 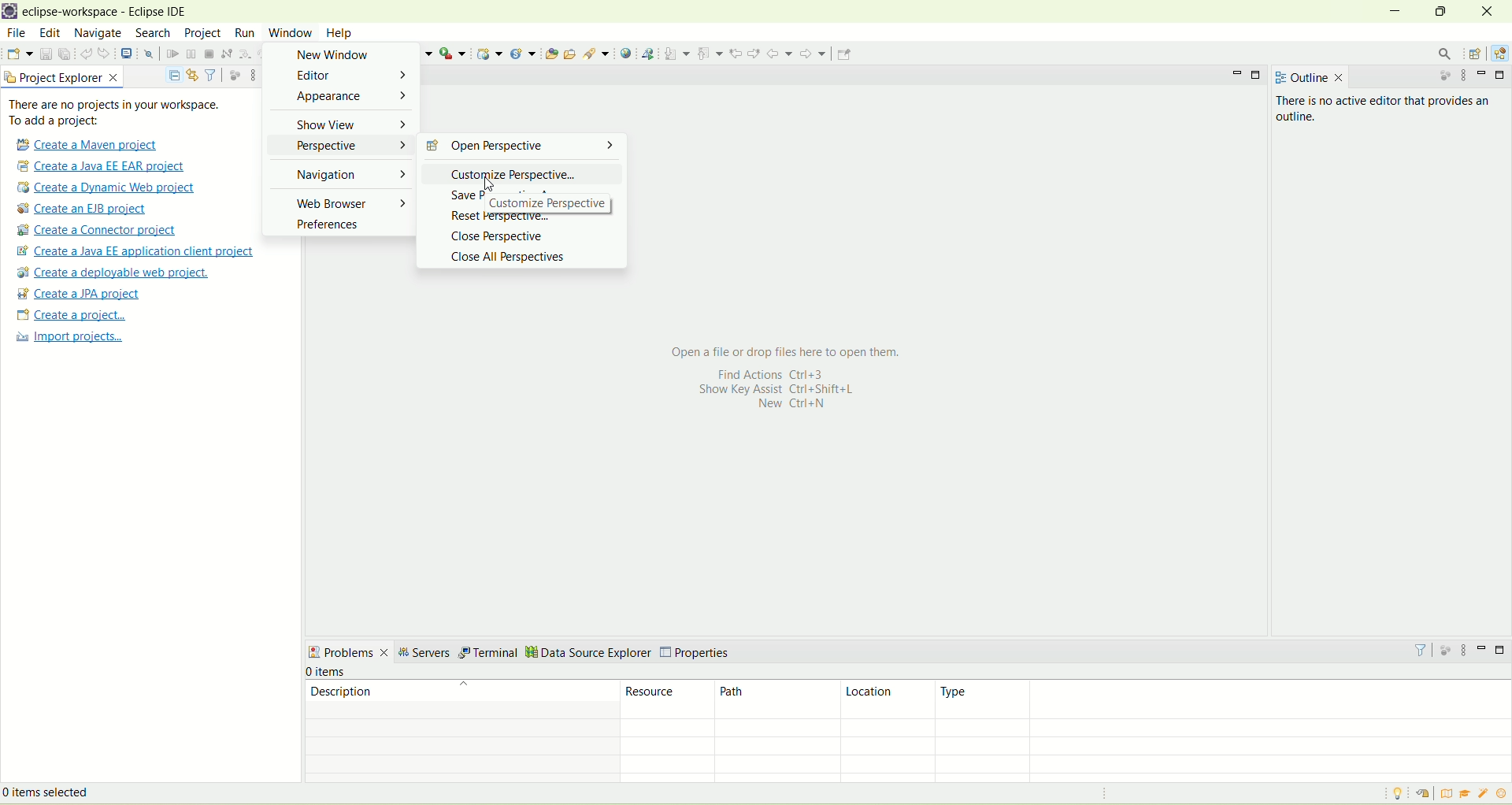 What do you see at coordinates (17, 33) in the screenshot?
I see `file` at bounding box center [17, 33].